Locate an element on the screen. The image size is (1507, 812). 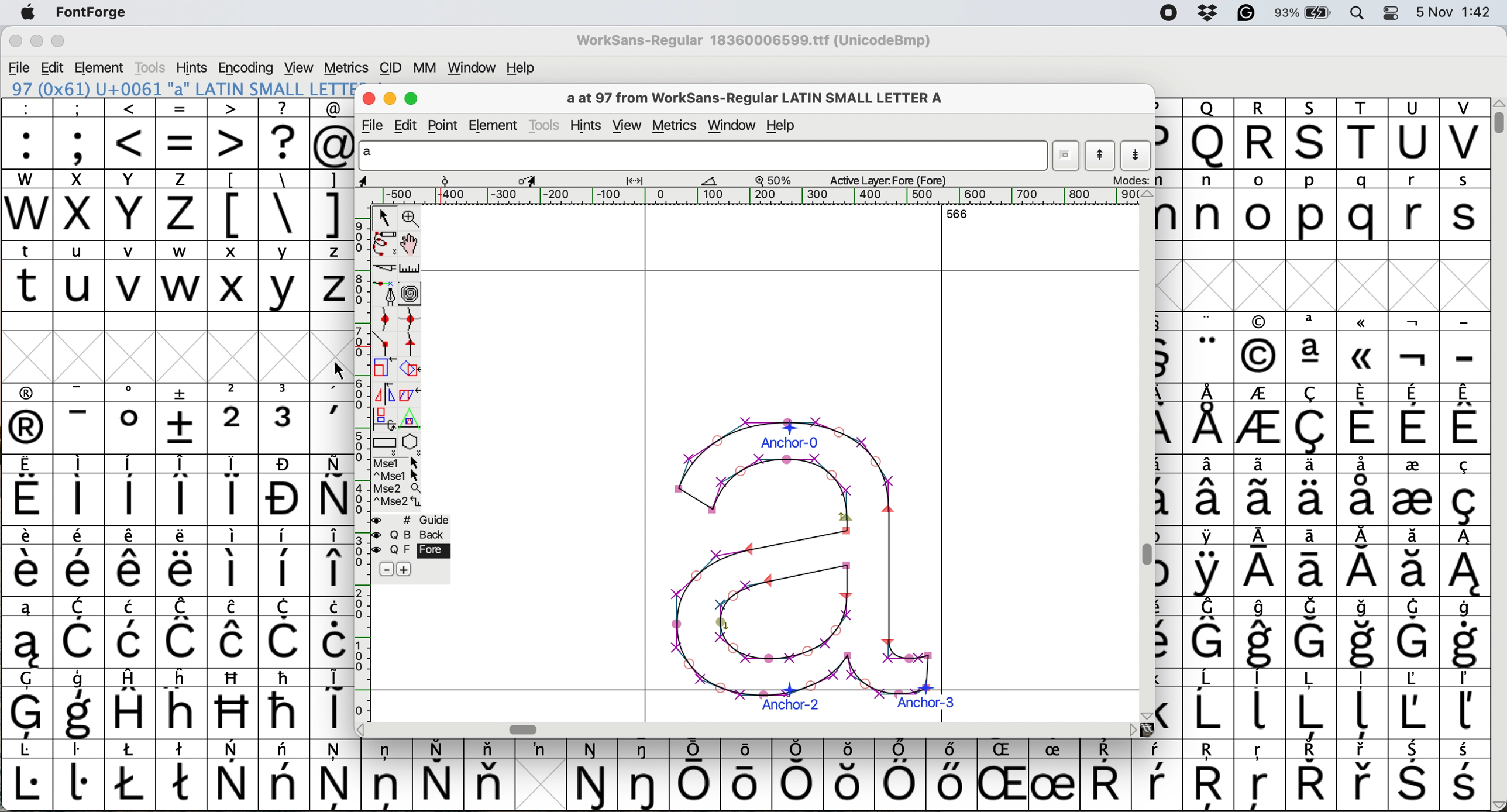
maximise is located at coordinates (413, 98).